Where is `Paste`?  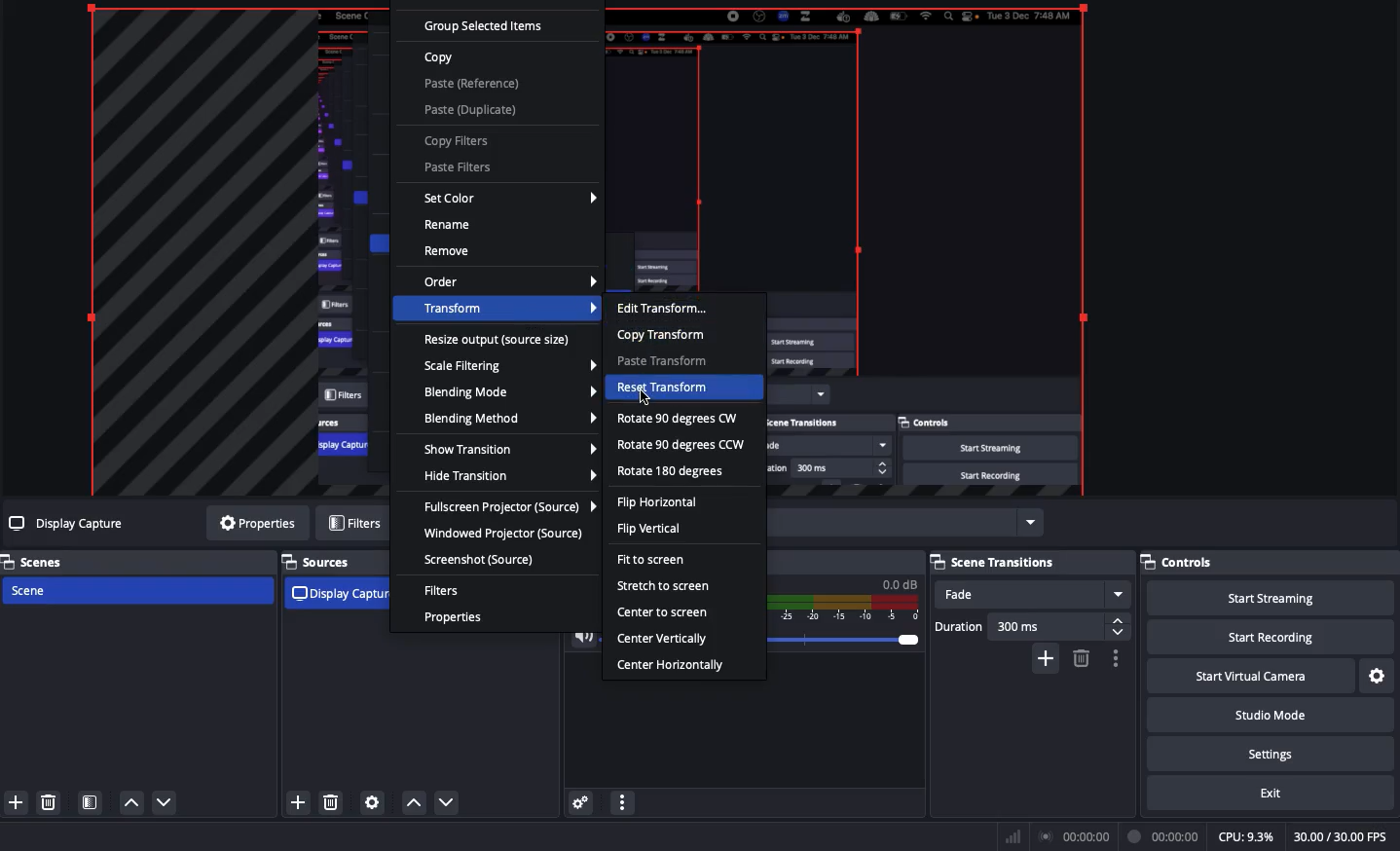
Paste is located at coordinates (471, 113).